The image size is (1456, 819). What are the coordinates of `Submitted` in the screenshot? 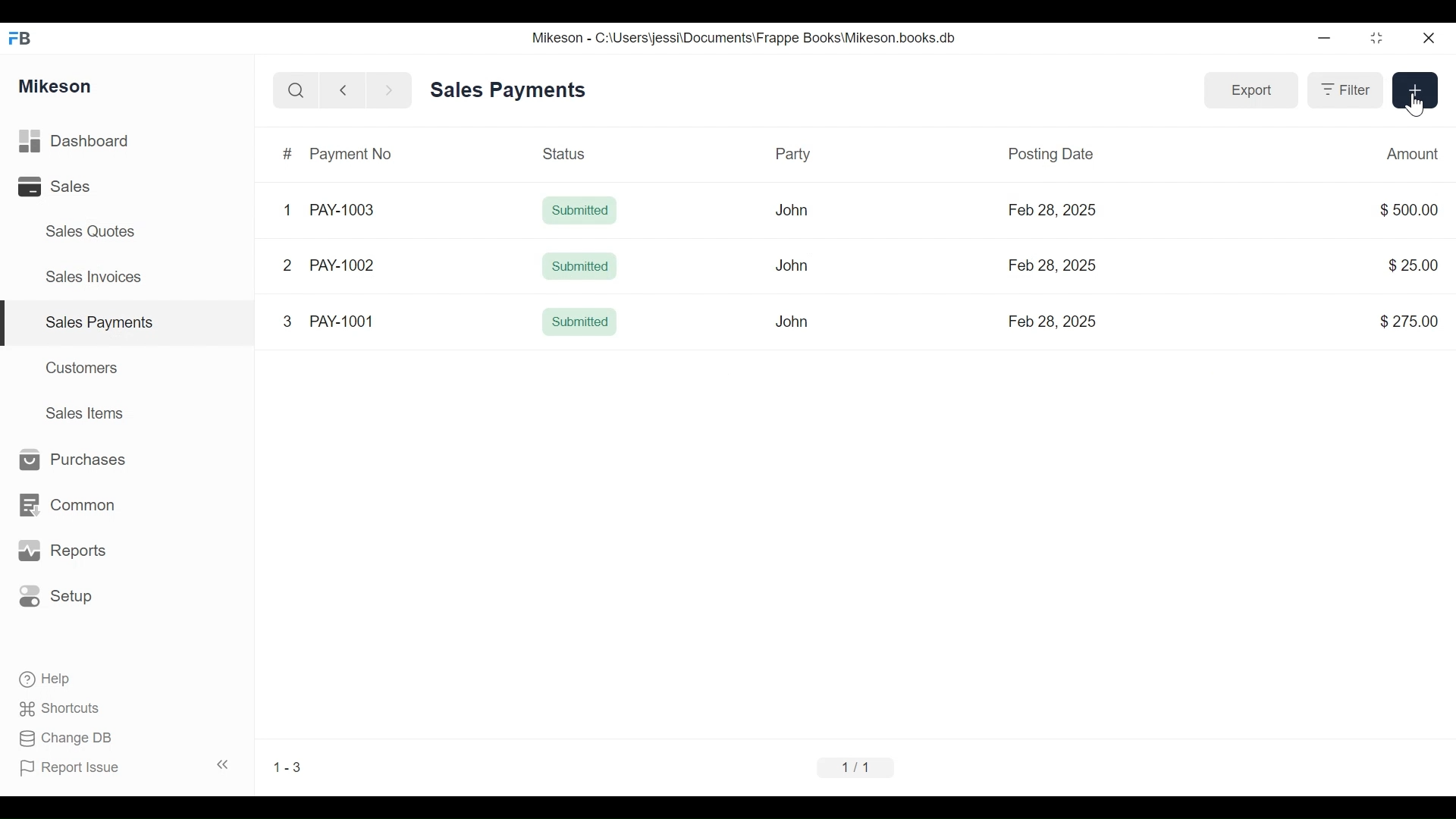 It's located at (581, 265).